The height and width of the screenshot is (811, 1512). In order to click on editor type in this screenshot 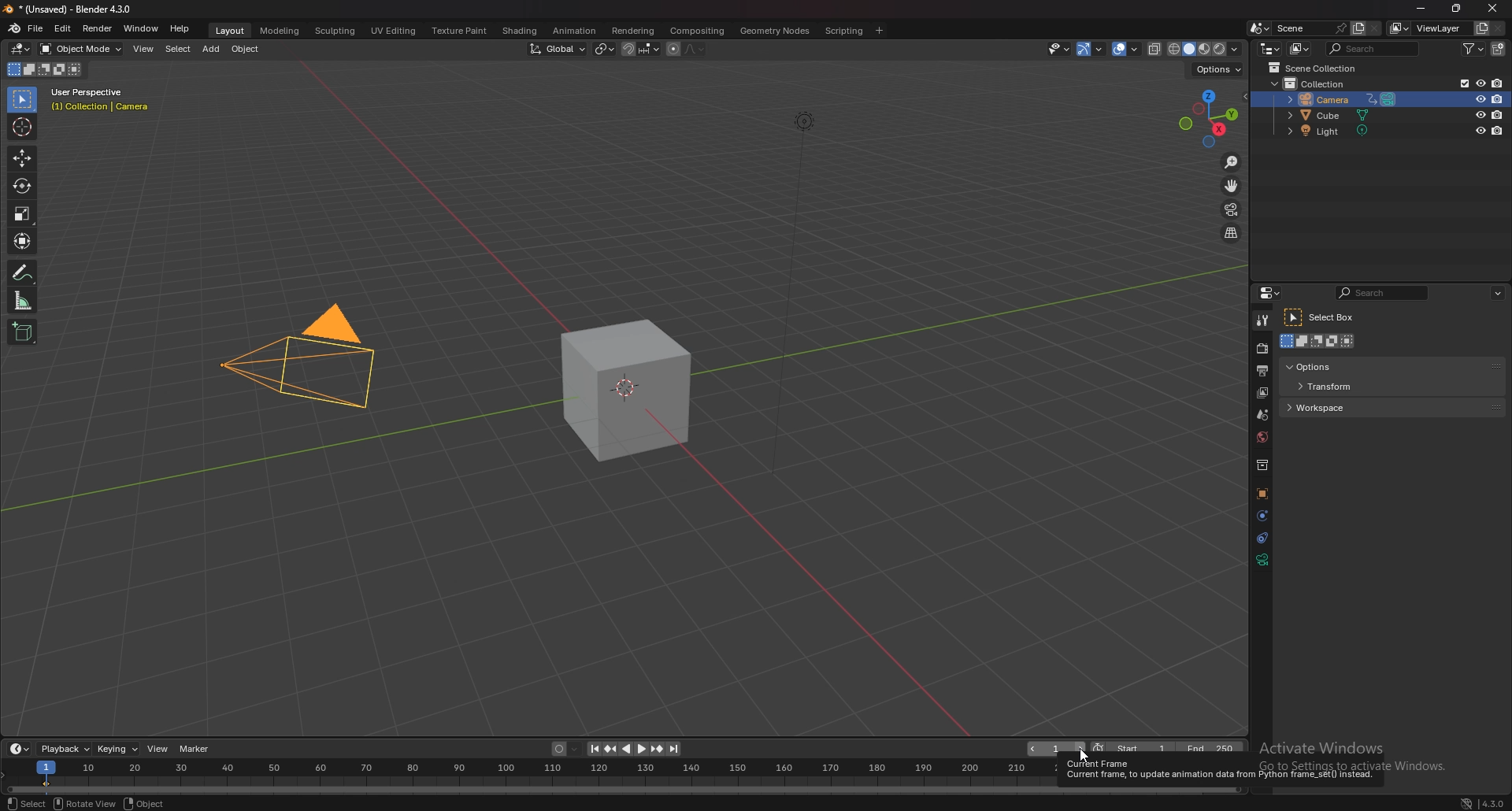, I will do `click(20, 748)`.